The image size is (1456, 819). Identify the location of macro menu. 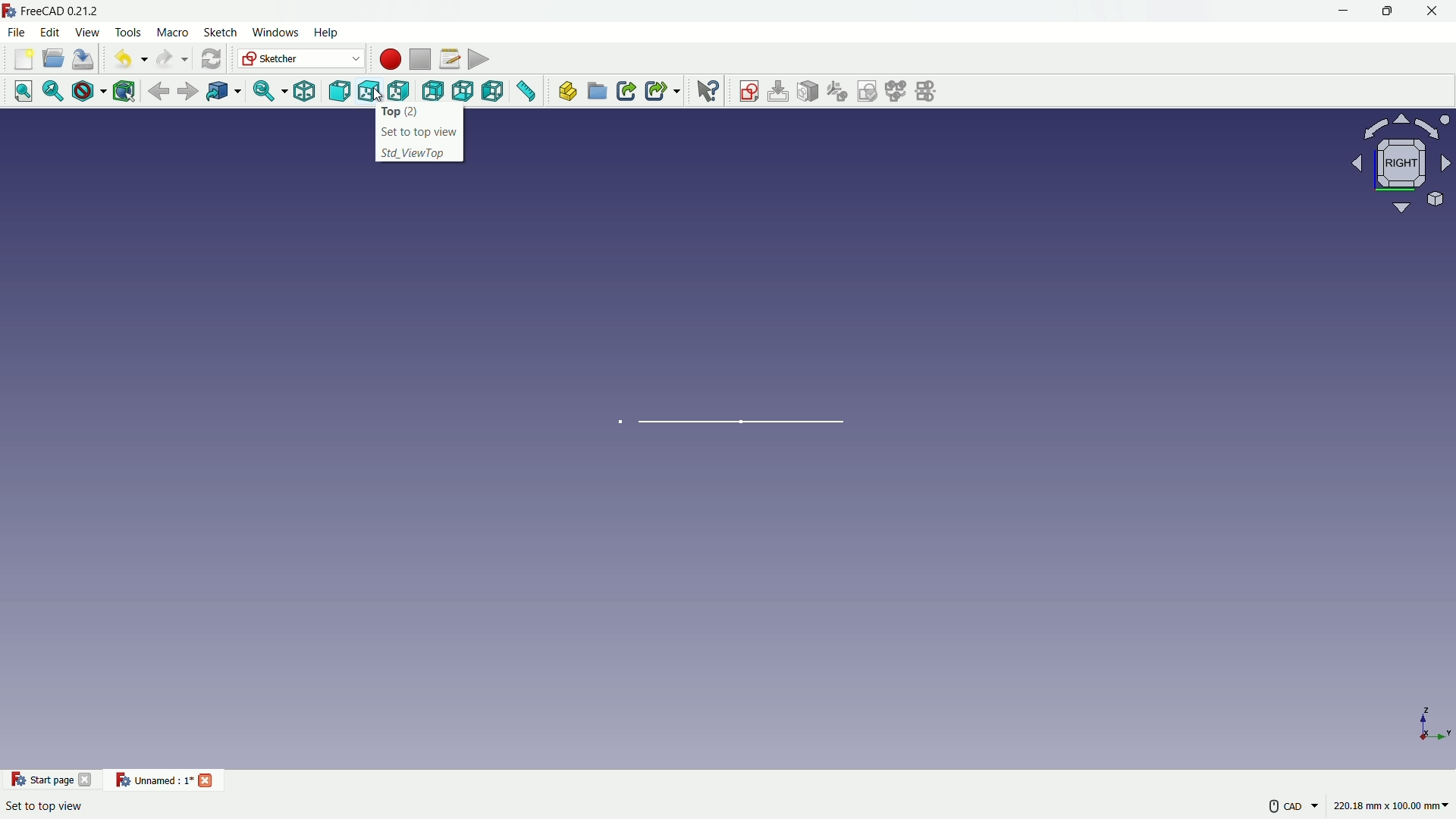
(171, 33).